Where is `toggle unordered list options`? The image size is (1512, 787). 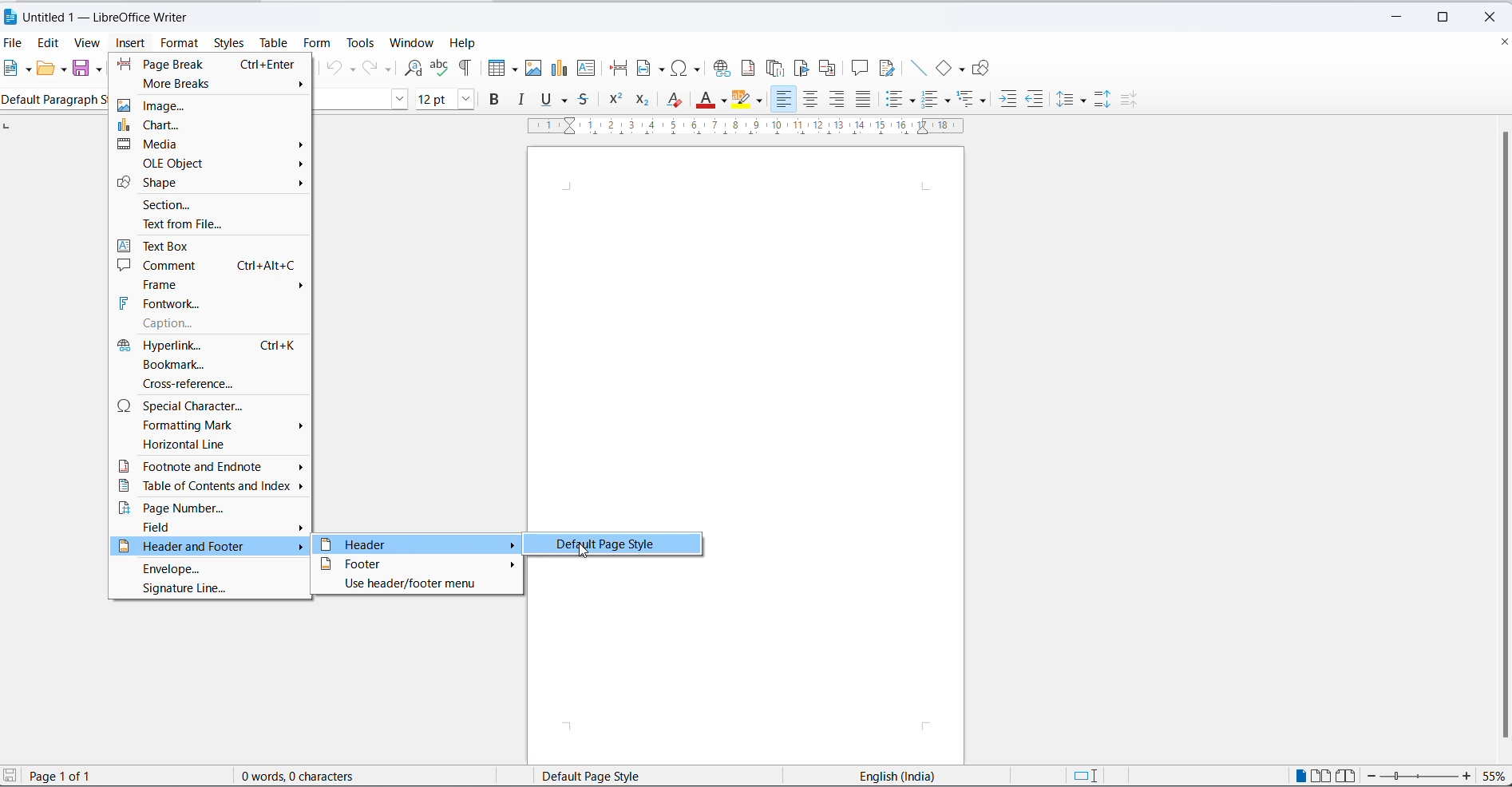
toggle unordered list options is located at coordinates (914, 101).